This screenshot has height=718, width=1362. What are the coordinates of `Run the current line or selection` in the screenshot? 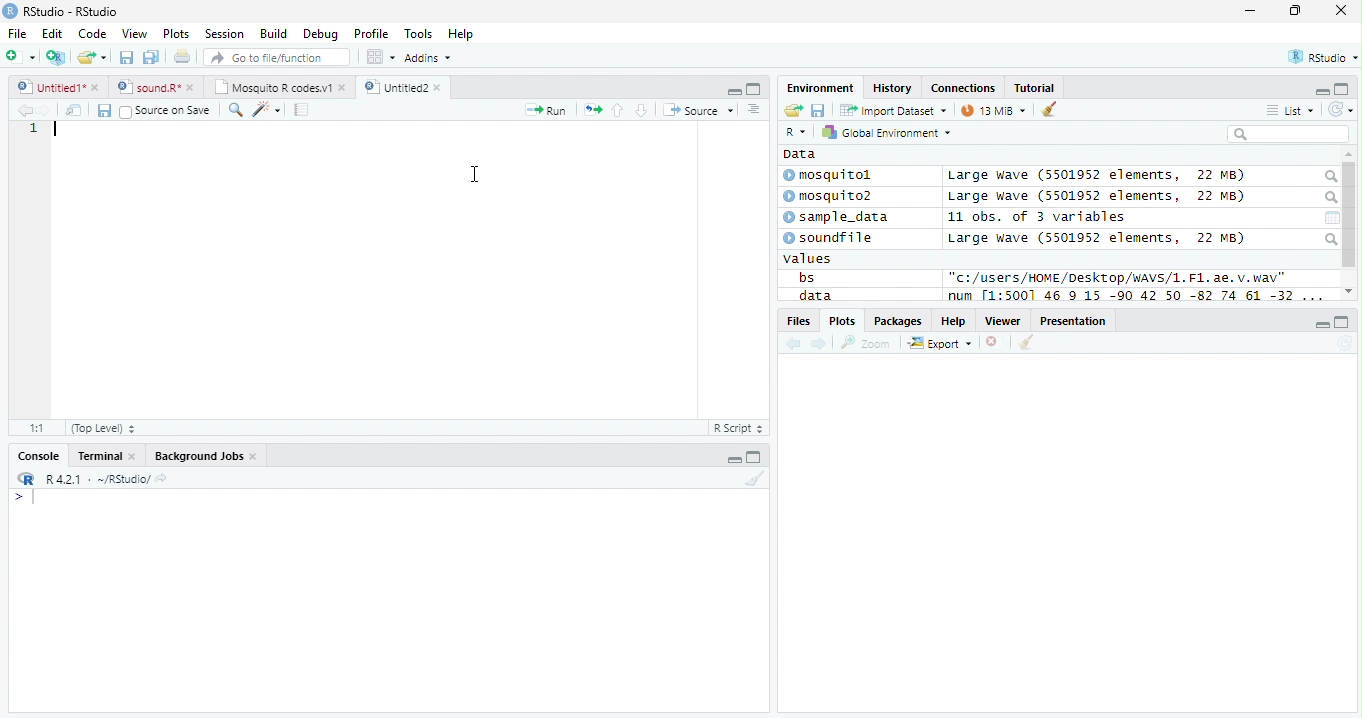 It's located at (546, 111).